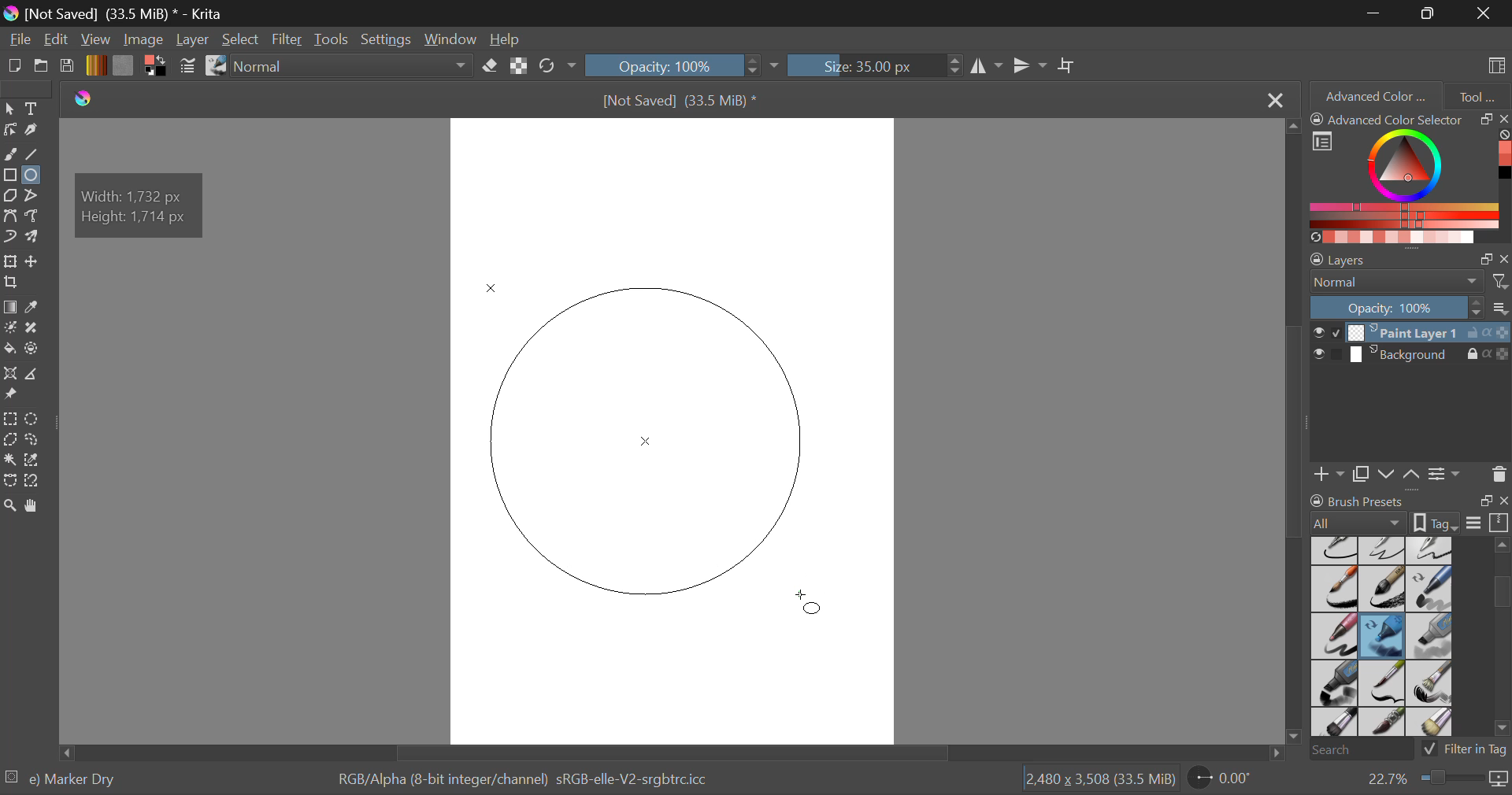 Image resolution: width=1512 pixels, height=795 pixels. Describe the element at coordinates (20, 41) in the screenshot. I see `File` at that location.